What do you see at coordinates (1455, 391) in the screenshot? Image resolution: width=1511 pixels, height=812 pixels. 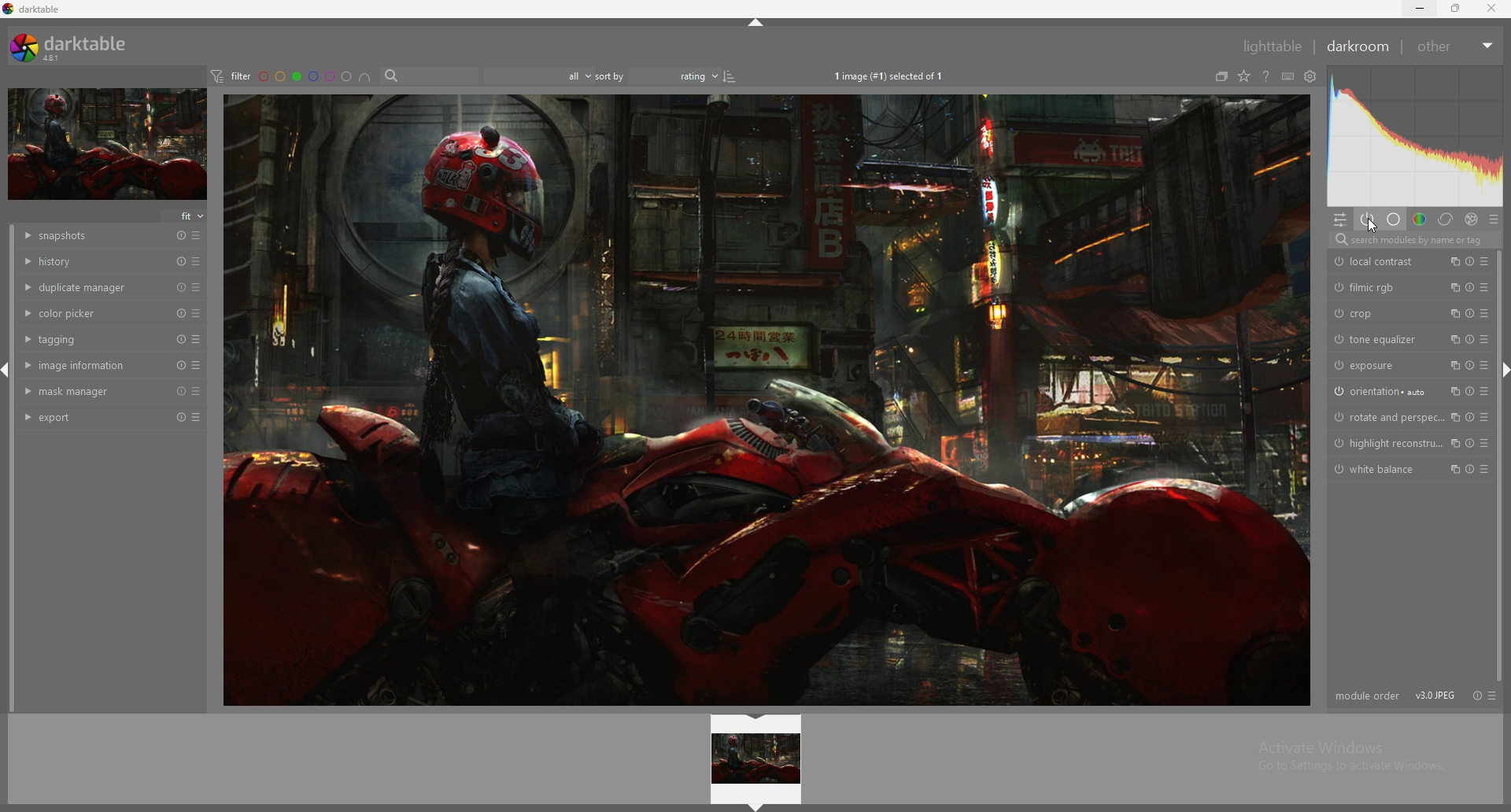 I see `multiple instances action` at bounding box center [1455, 391].